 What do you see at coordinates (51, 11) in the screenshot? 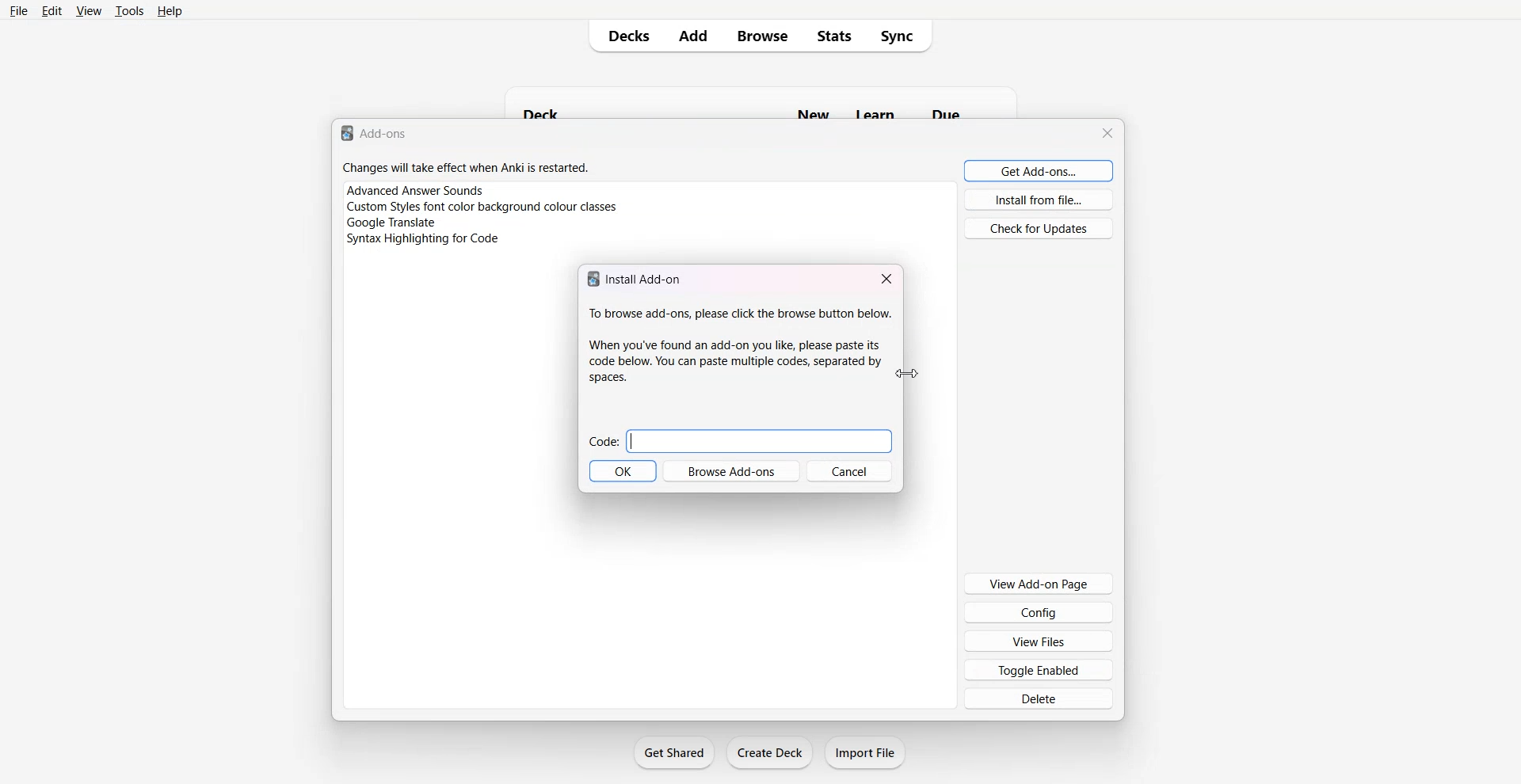
I see `Edit` at bounding box center [51, 11].